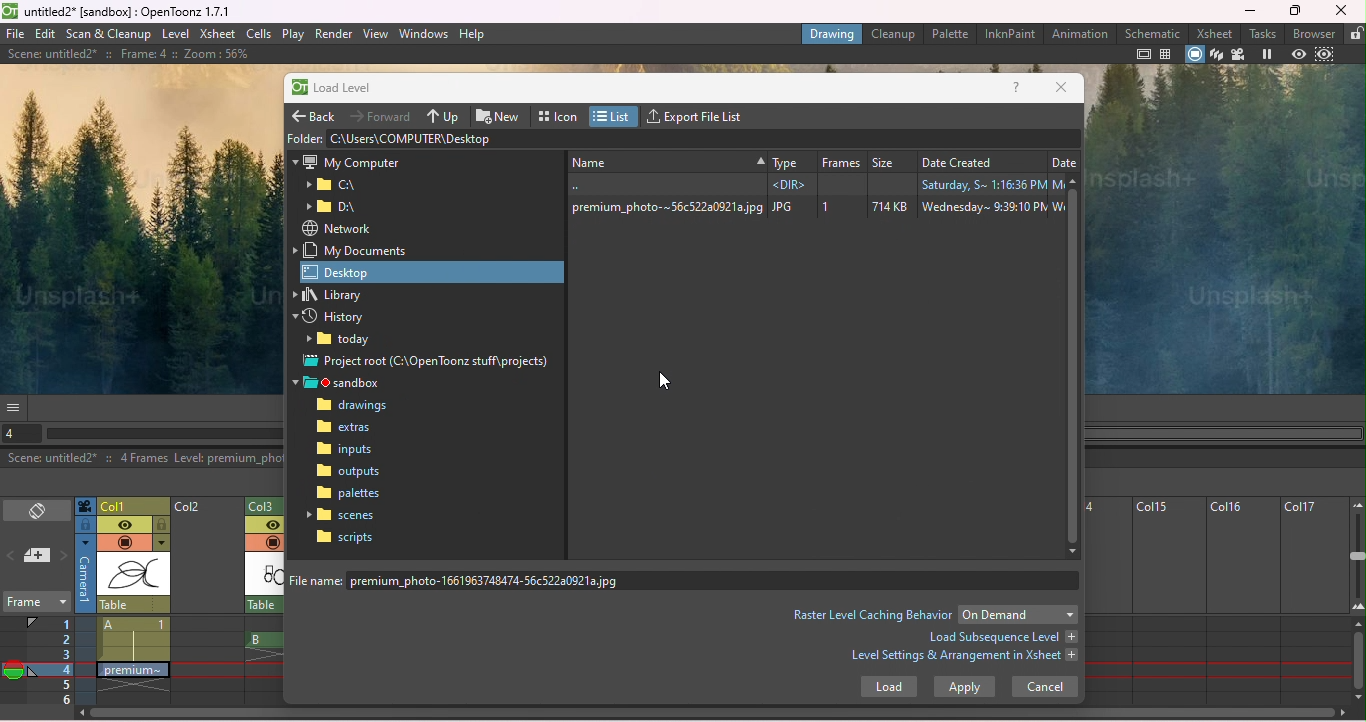 The image size is (1366, 722). I want to click on Schematic, so click(1153, 33).